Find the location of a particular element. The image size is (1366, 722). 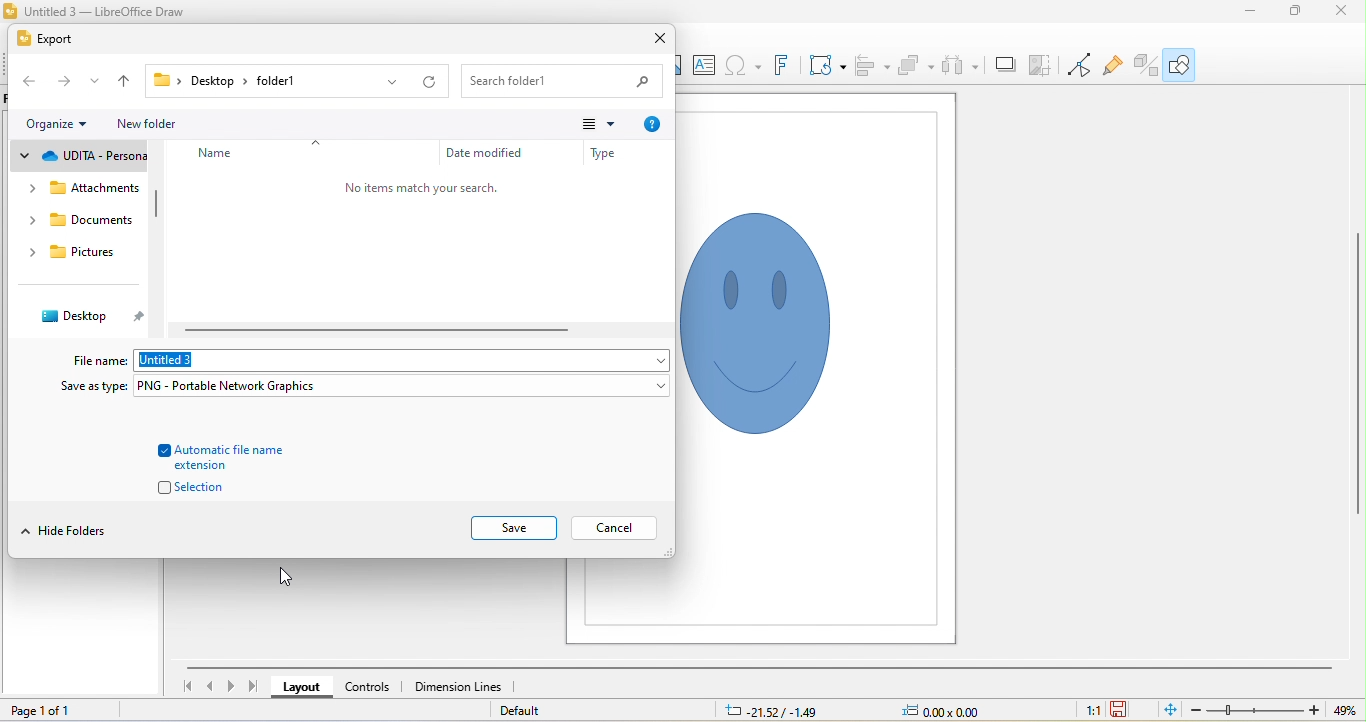

up to previous is located at coordinates (126, 80).